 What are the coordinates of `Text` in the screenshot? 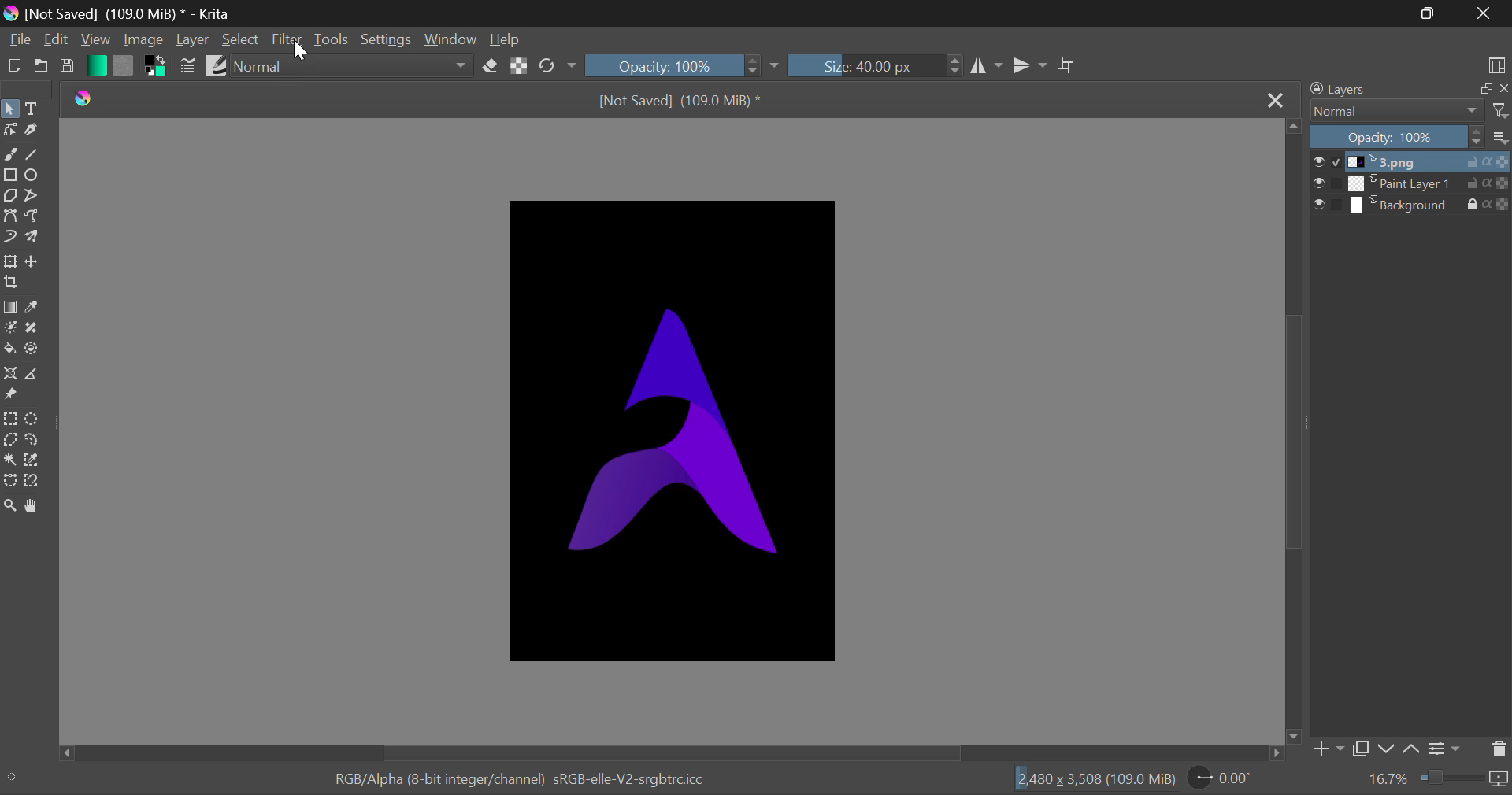 It's located at (35, 107).